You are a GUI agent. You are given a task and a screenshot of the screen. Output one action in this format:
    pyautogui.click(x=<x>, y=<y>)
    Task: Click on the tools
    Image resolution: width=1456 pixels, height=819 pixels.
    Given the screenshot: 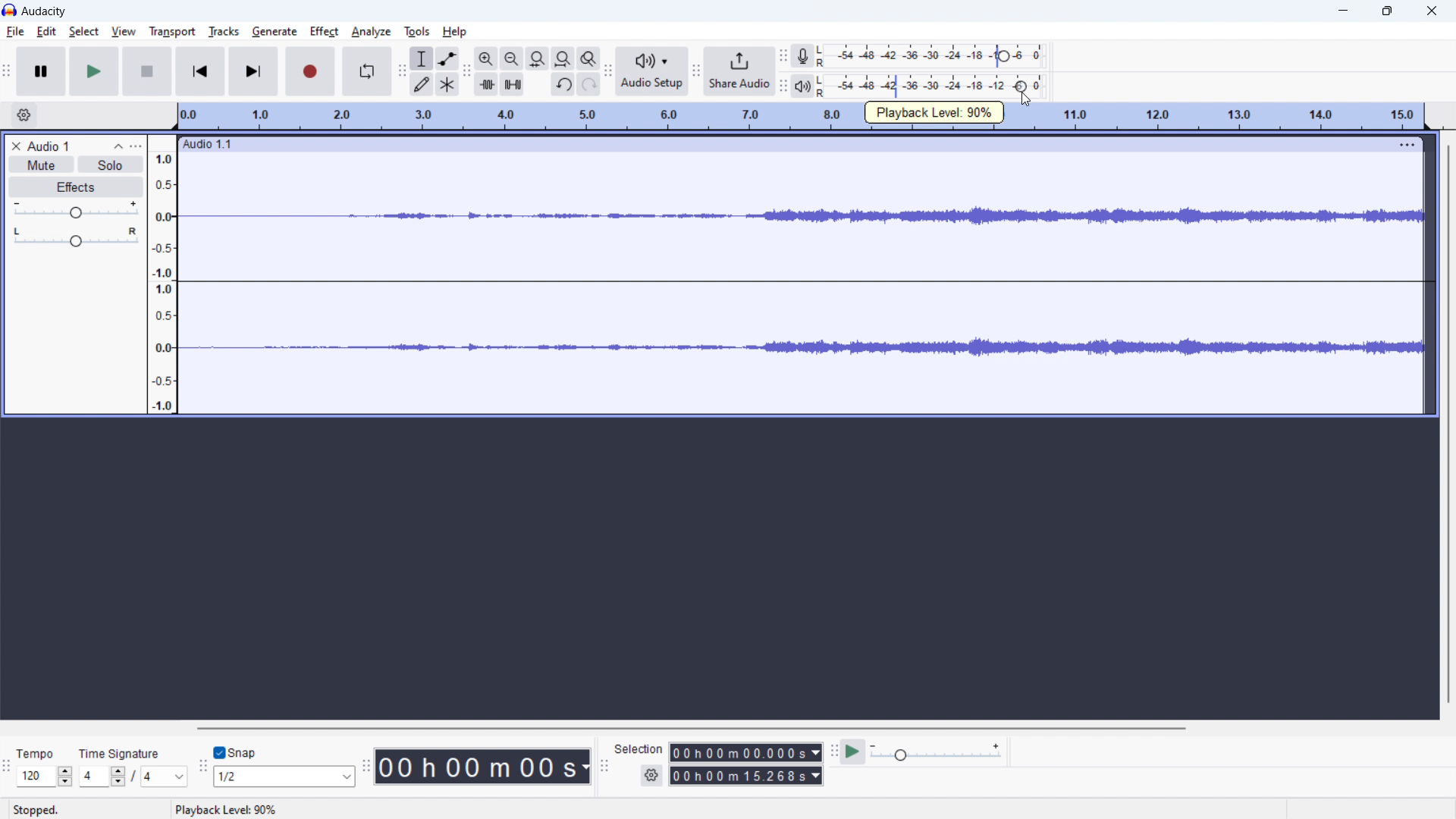 What is the action you would take?
    pyautogui.click(x=417, y=31)
    